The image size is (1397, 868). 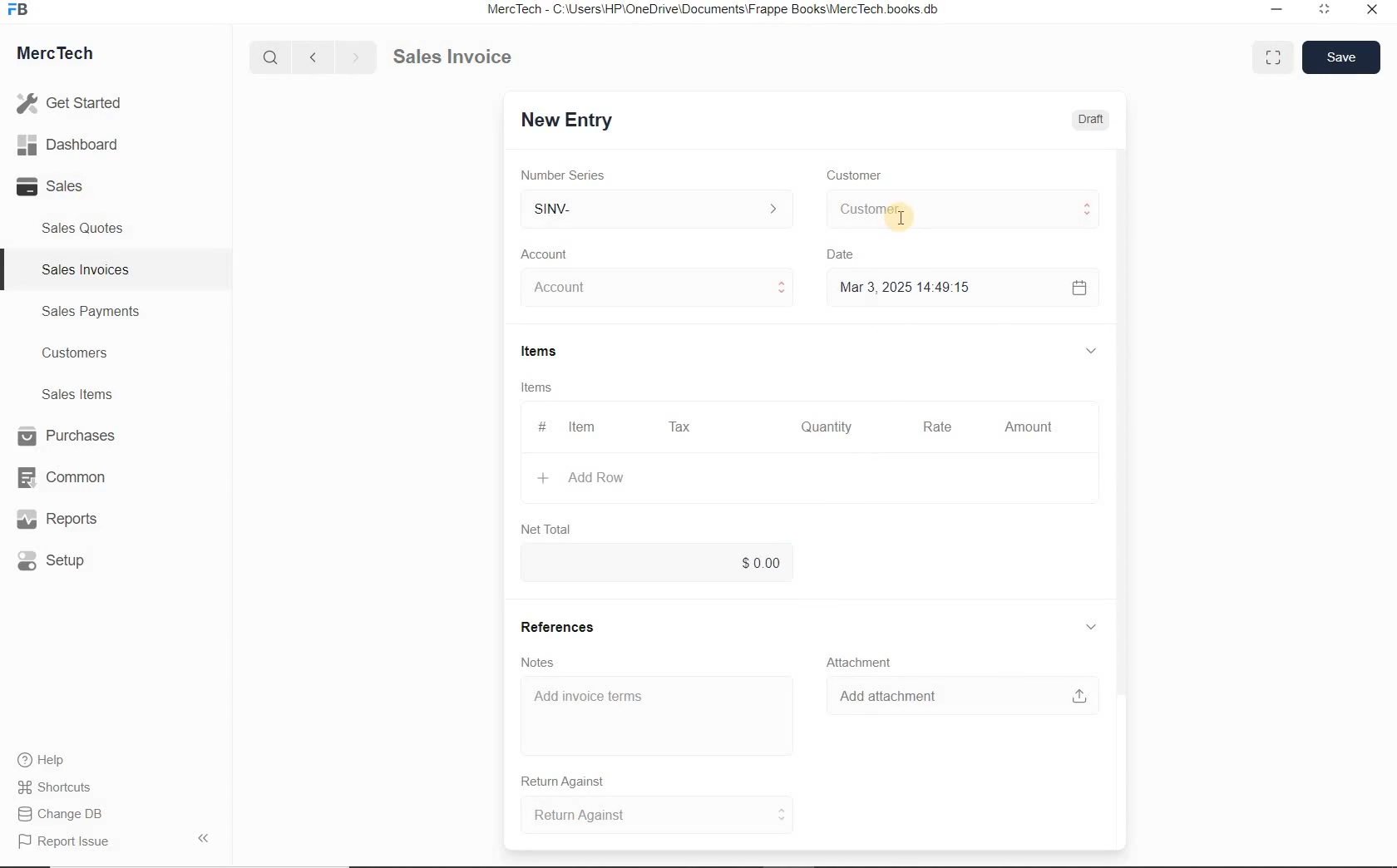 I want to click on New Entry, so click(x=565, y=121).